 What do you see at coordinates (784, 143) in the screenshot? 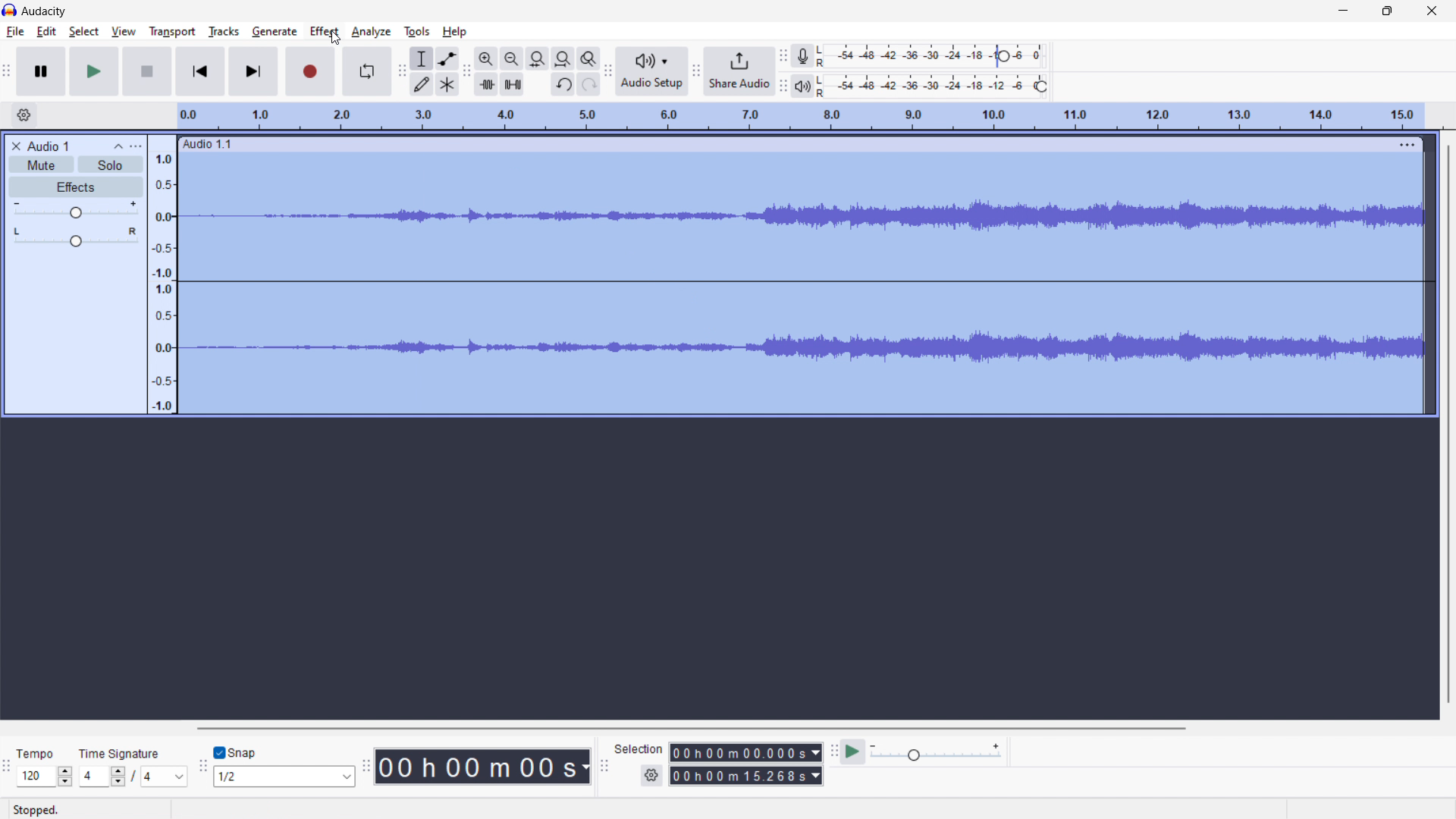
I see `hold to move` at bounding box center [784, 143].